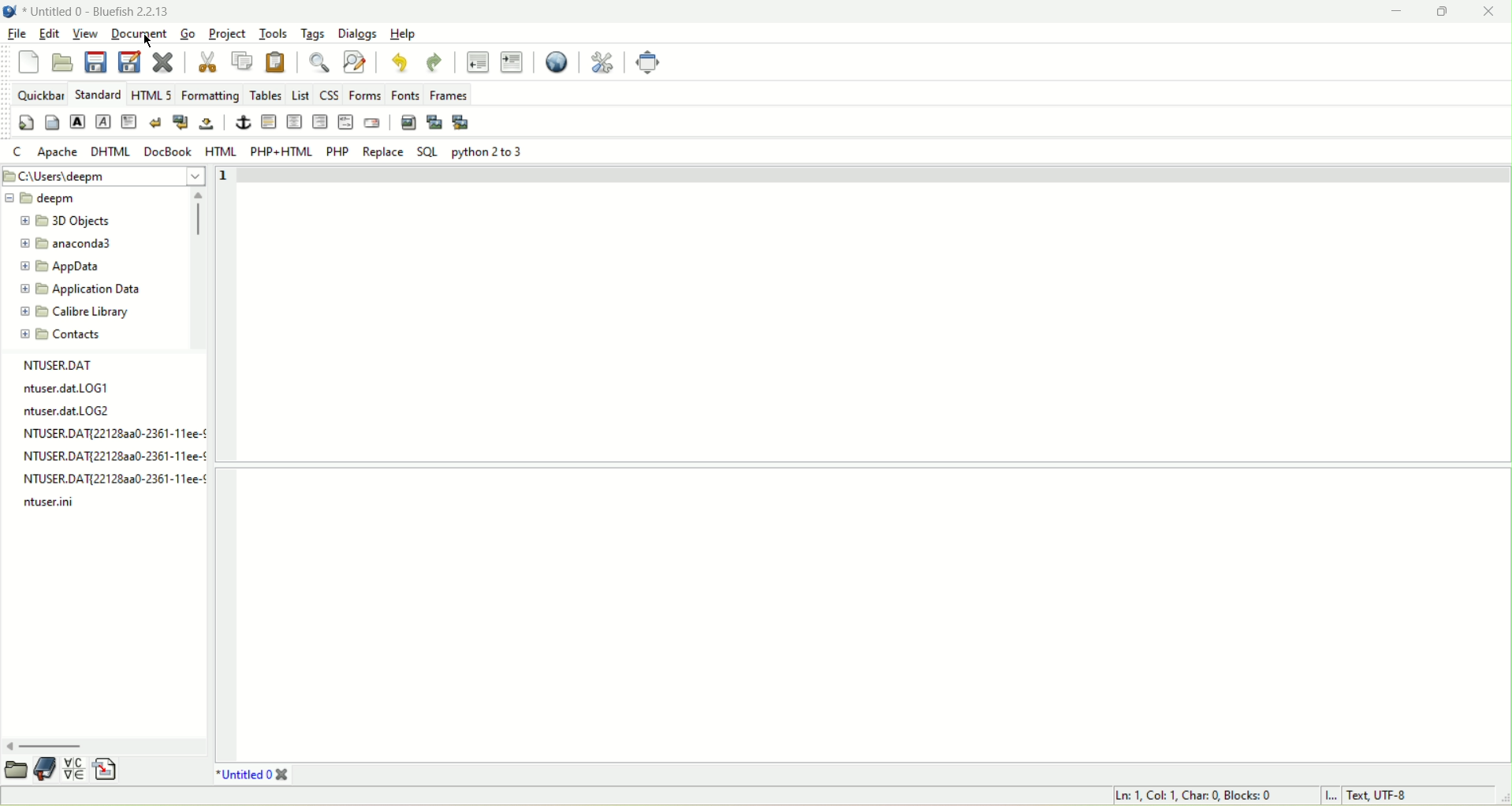 This screenshot has width=1512, height=806. What do you see at coordinates (209, 62) in the screenshot?
I see `cut` at bounding box center [209, 62].